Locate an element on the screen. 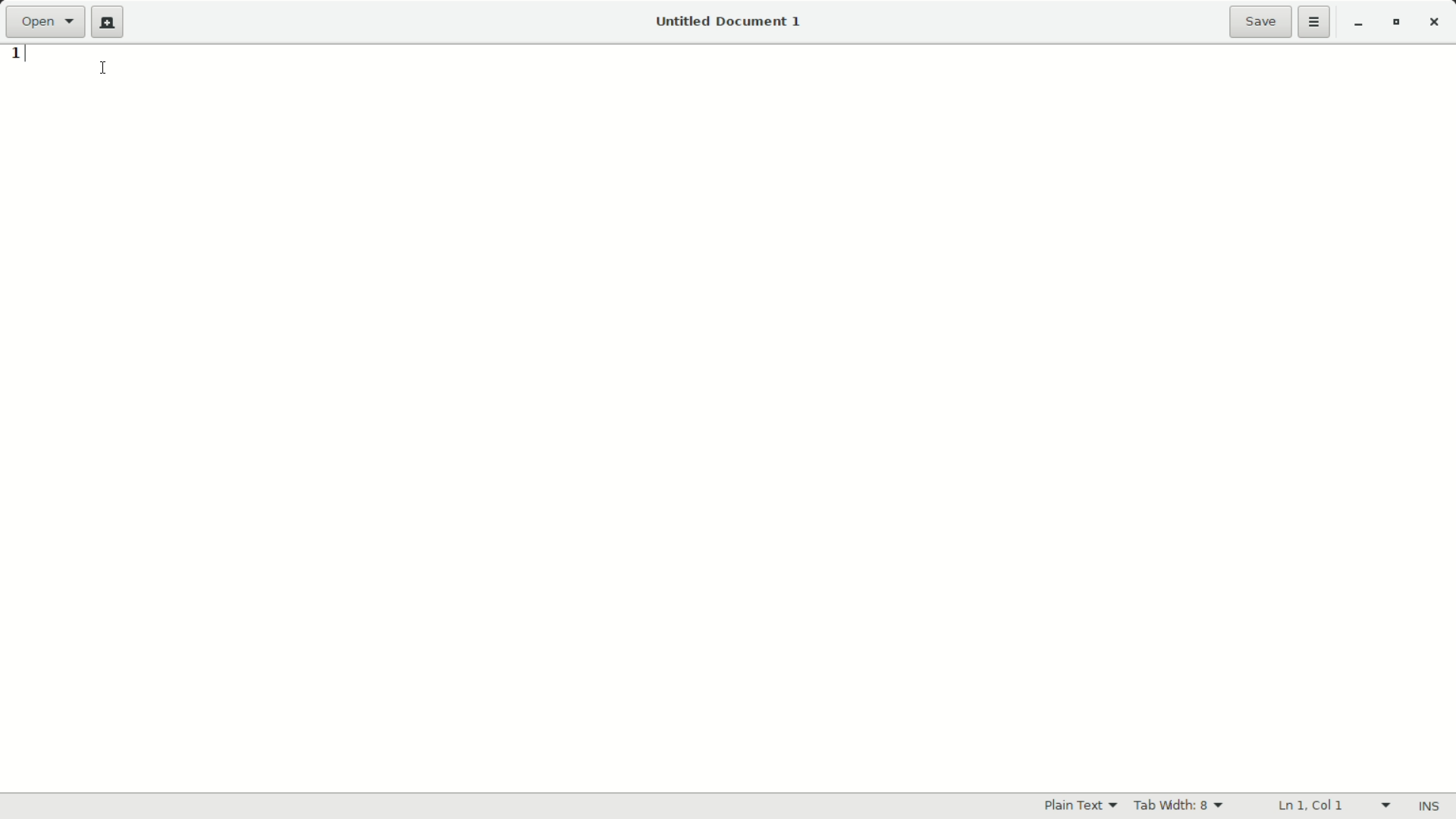  maximize or restore is located at coordinates (1401, 24).